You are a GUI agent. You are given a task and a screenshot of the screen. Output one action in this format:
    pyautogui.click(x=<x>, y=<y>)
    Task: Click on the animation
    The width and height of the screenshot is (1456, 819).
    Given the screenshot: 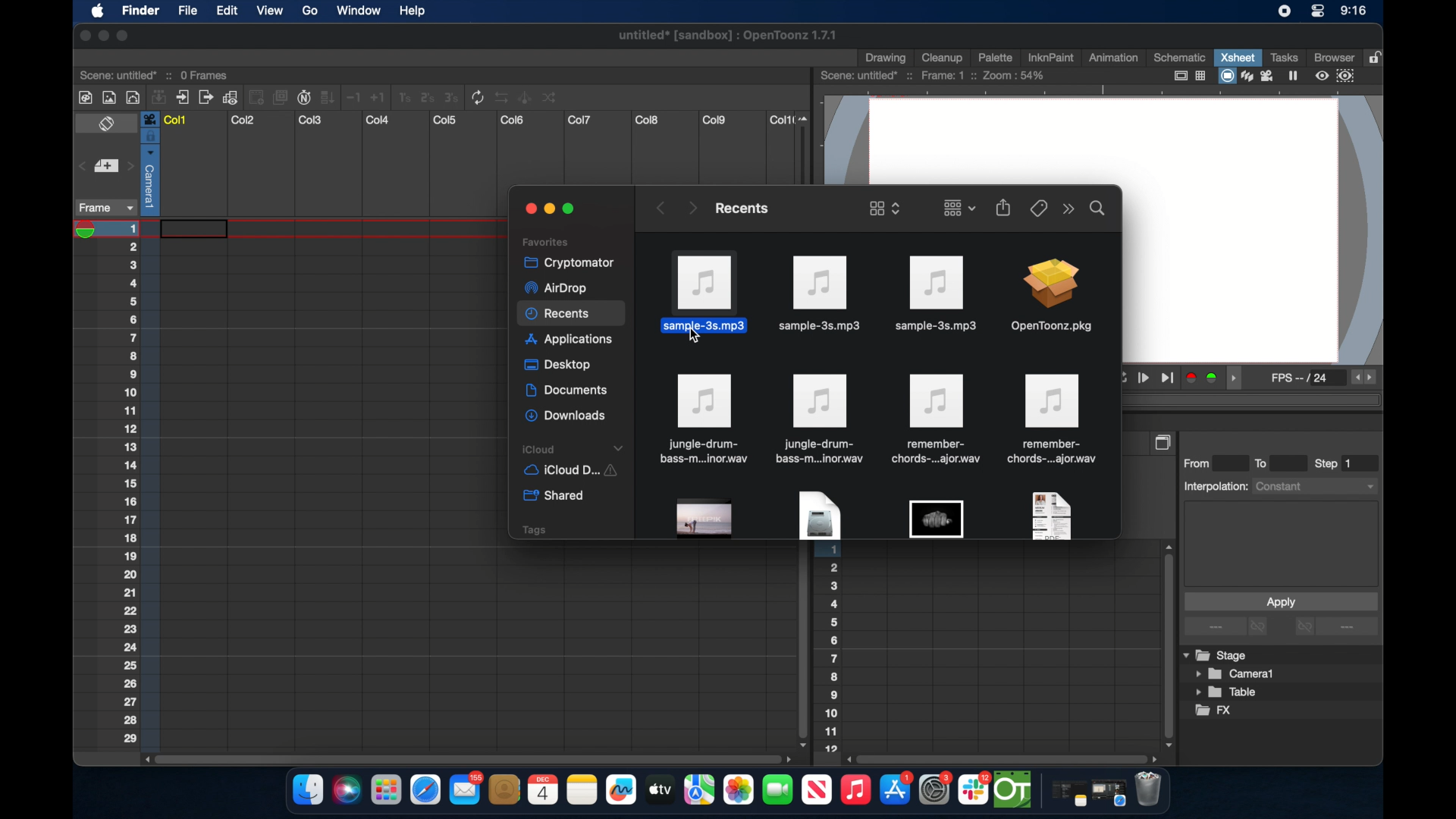 What is the action you would take?
    pyautogui.click(x=1114, y=58)
    